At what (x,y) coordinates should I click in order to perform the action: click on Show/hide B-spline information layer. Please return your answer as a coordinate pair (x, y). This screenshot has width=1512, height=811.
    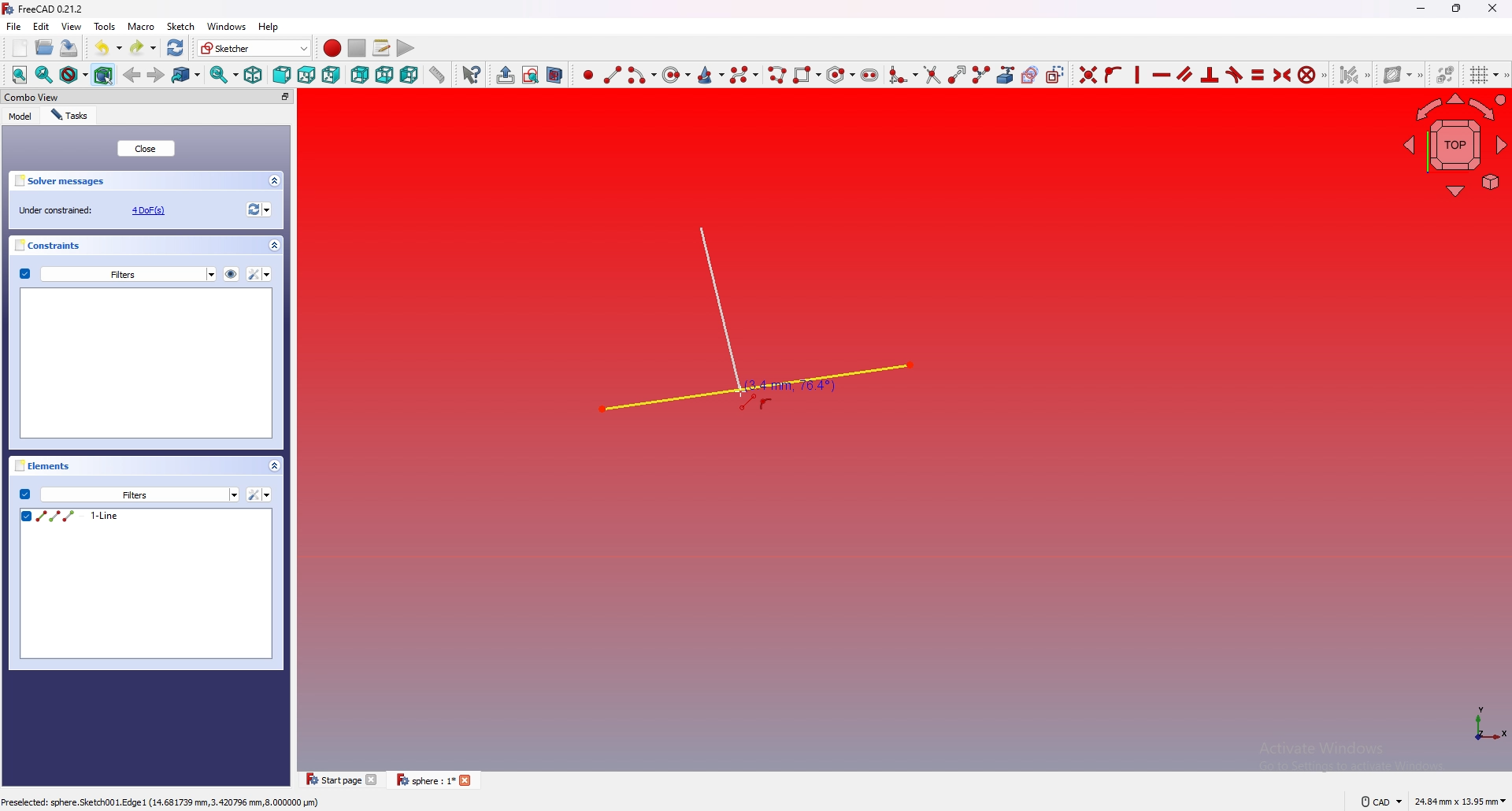
    Looking at the image, I should click on (1400, 74).